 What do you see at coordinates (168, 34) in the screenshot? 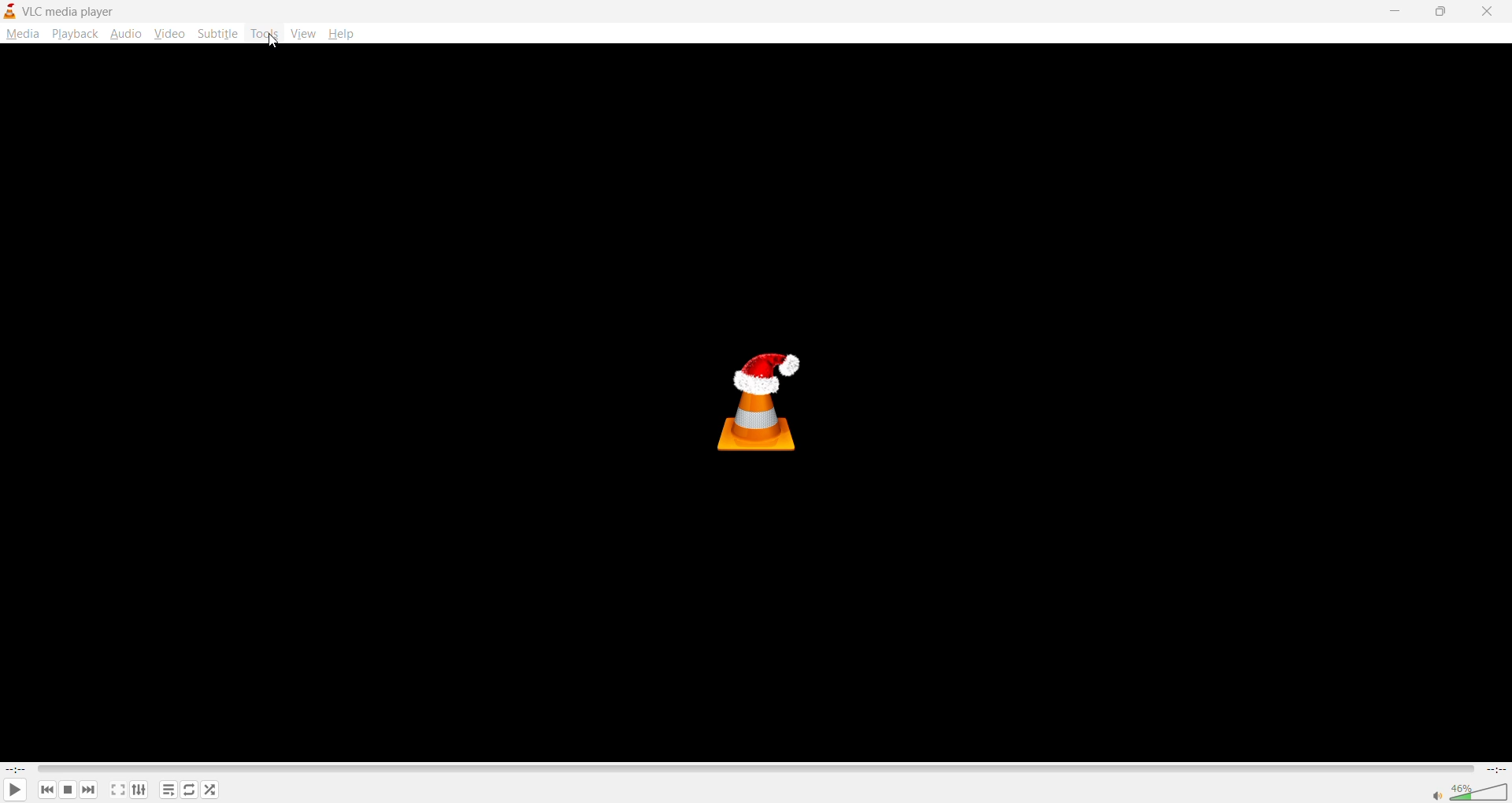
I see `video` at bounding box center [168, 34].